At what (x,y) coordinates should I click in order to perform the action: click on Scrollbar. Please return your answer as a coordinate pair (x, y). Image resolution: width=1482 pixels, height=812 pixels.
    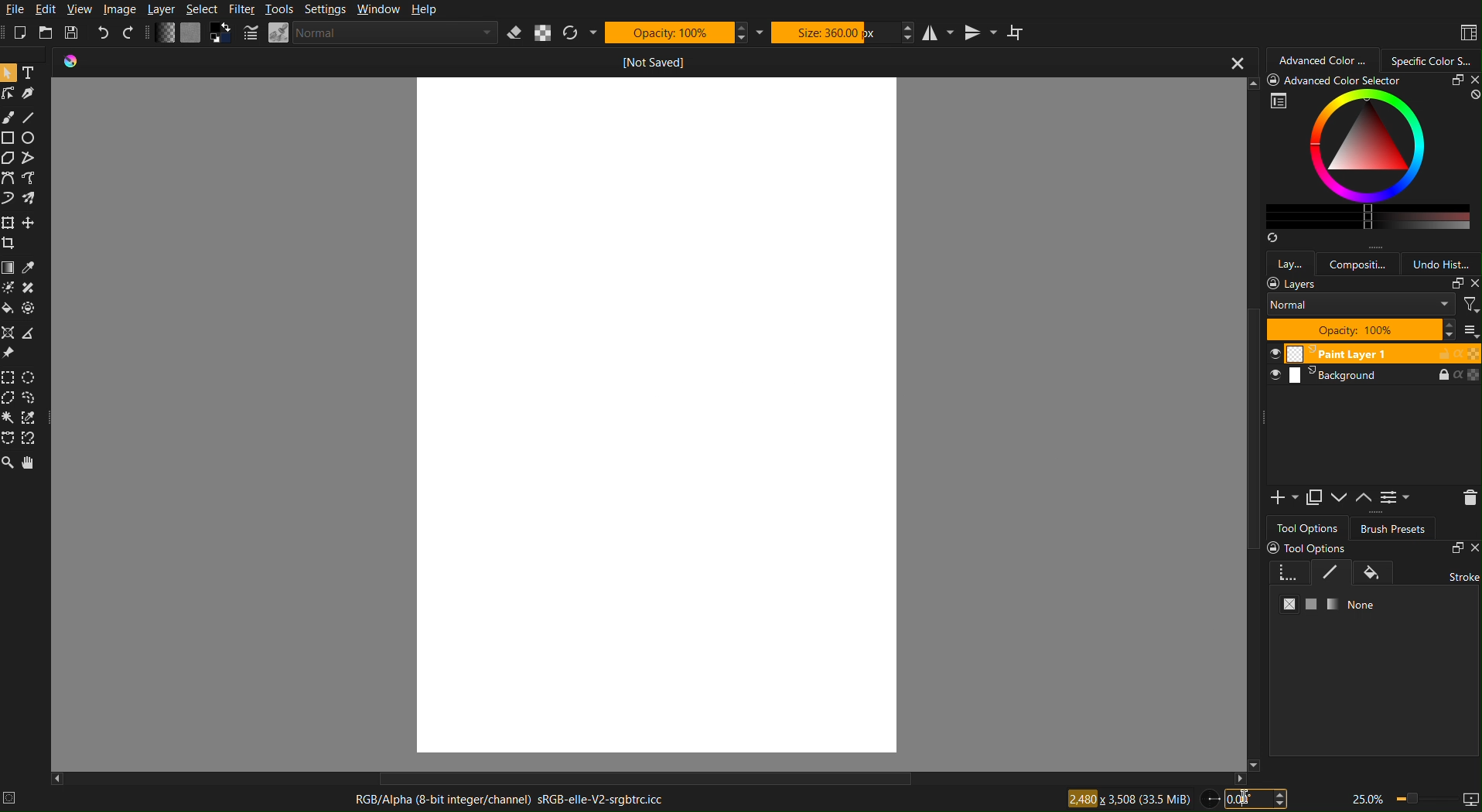
    Looking at the image, I should click on (644, 778).